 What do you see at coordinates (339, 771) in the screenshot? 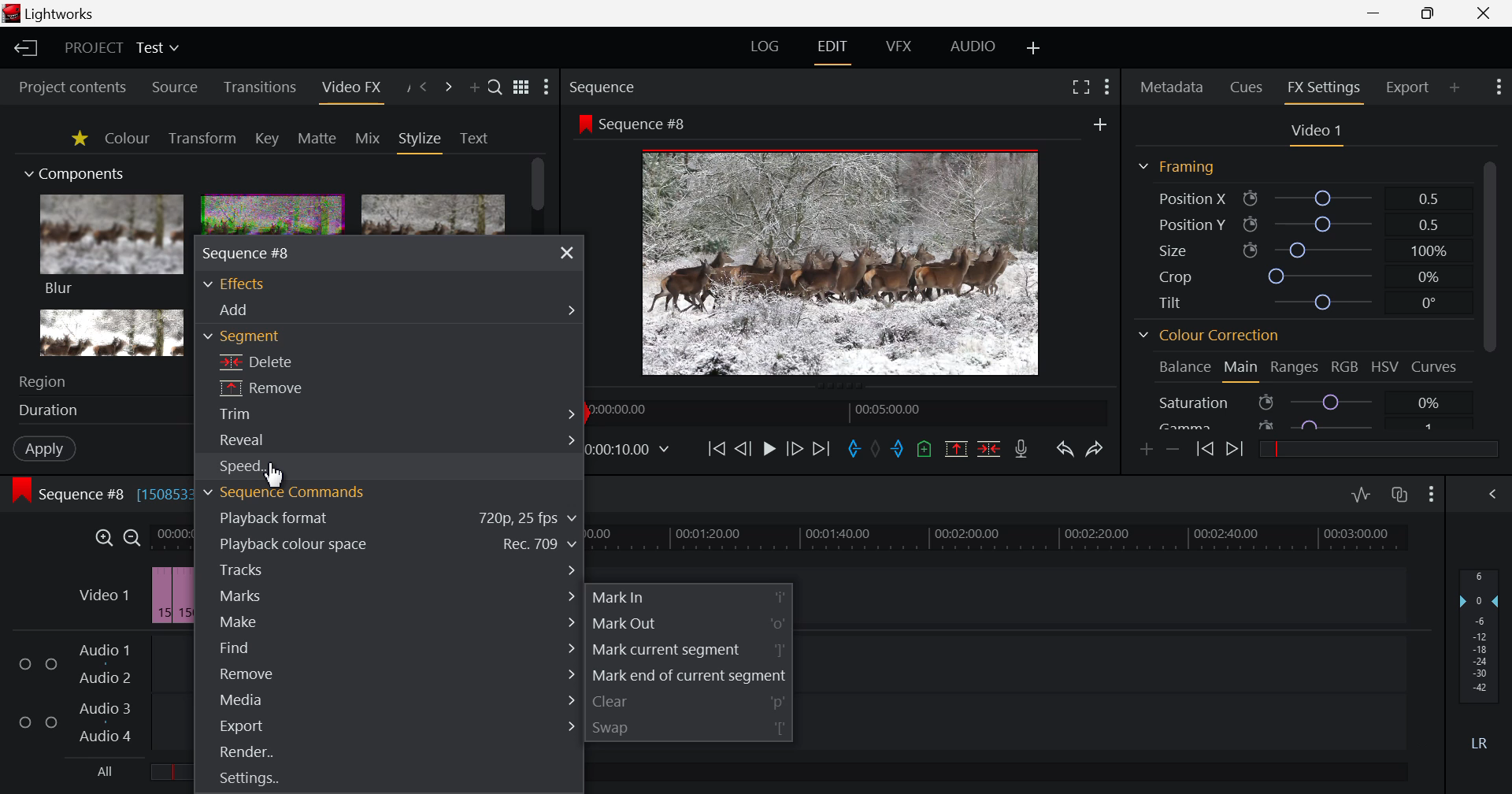
I see `All` at bounding box center [339, 771].